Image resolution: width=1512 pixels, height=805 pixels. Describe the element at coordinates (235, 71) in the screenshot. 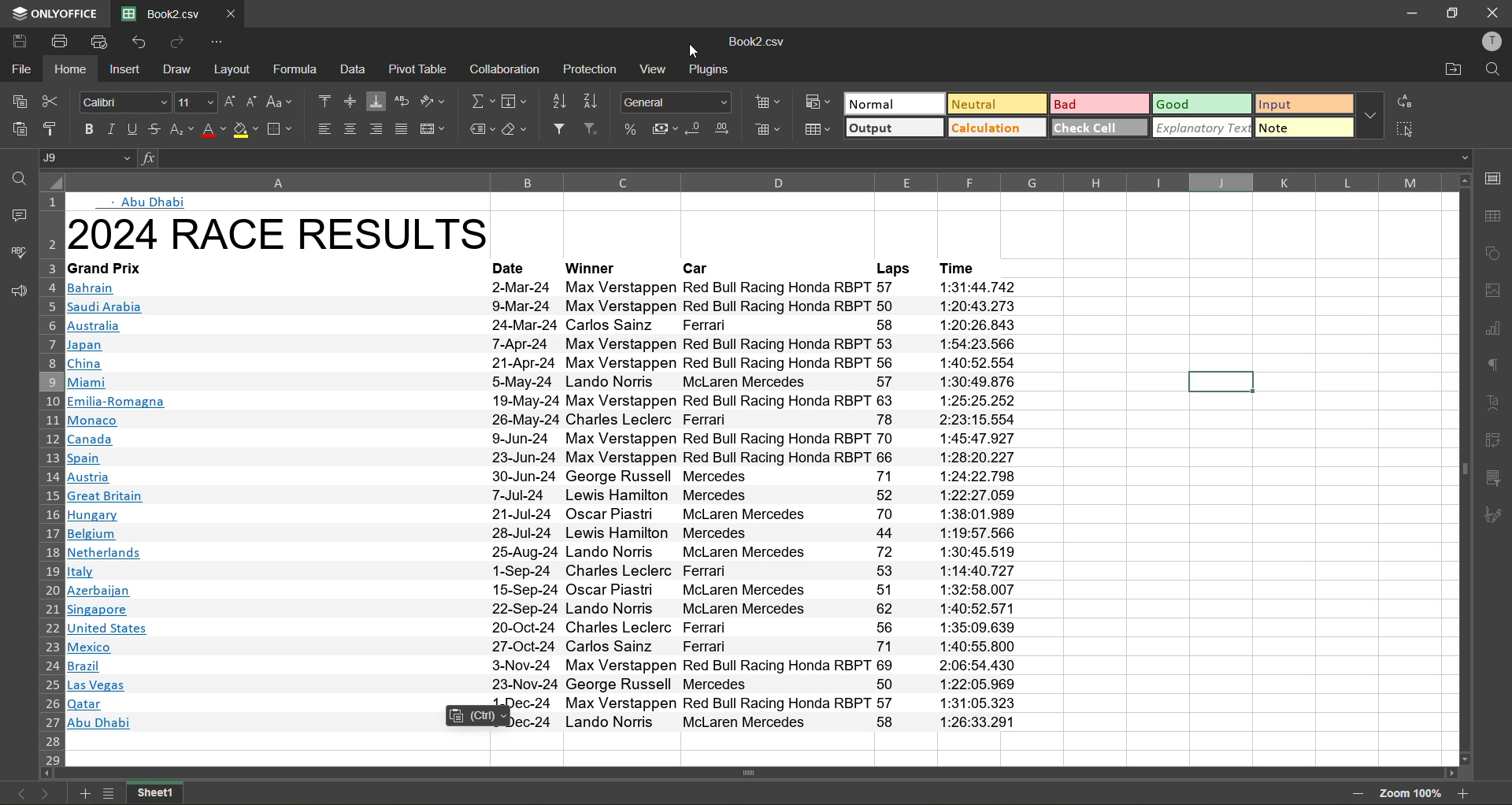

I see `layout` at that location.